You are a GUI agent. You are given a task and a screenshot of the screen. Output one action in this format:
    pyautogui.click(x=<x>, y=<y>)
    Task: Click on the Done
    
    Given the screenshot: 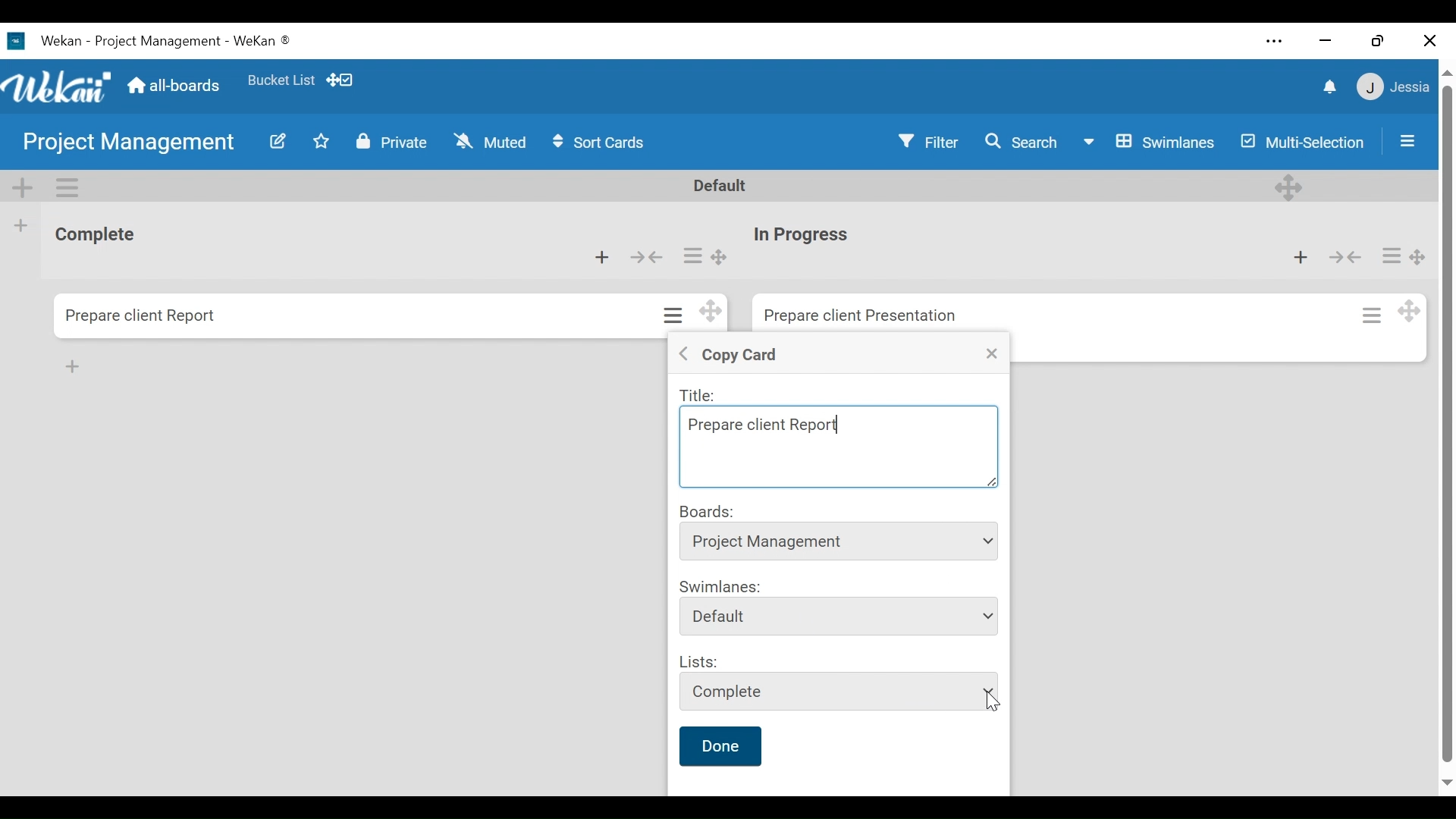 What is the action you would take?
    pyautogui.click(x=720, y=745)
    